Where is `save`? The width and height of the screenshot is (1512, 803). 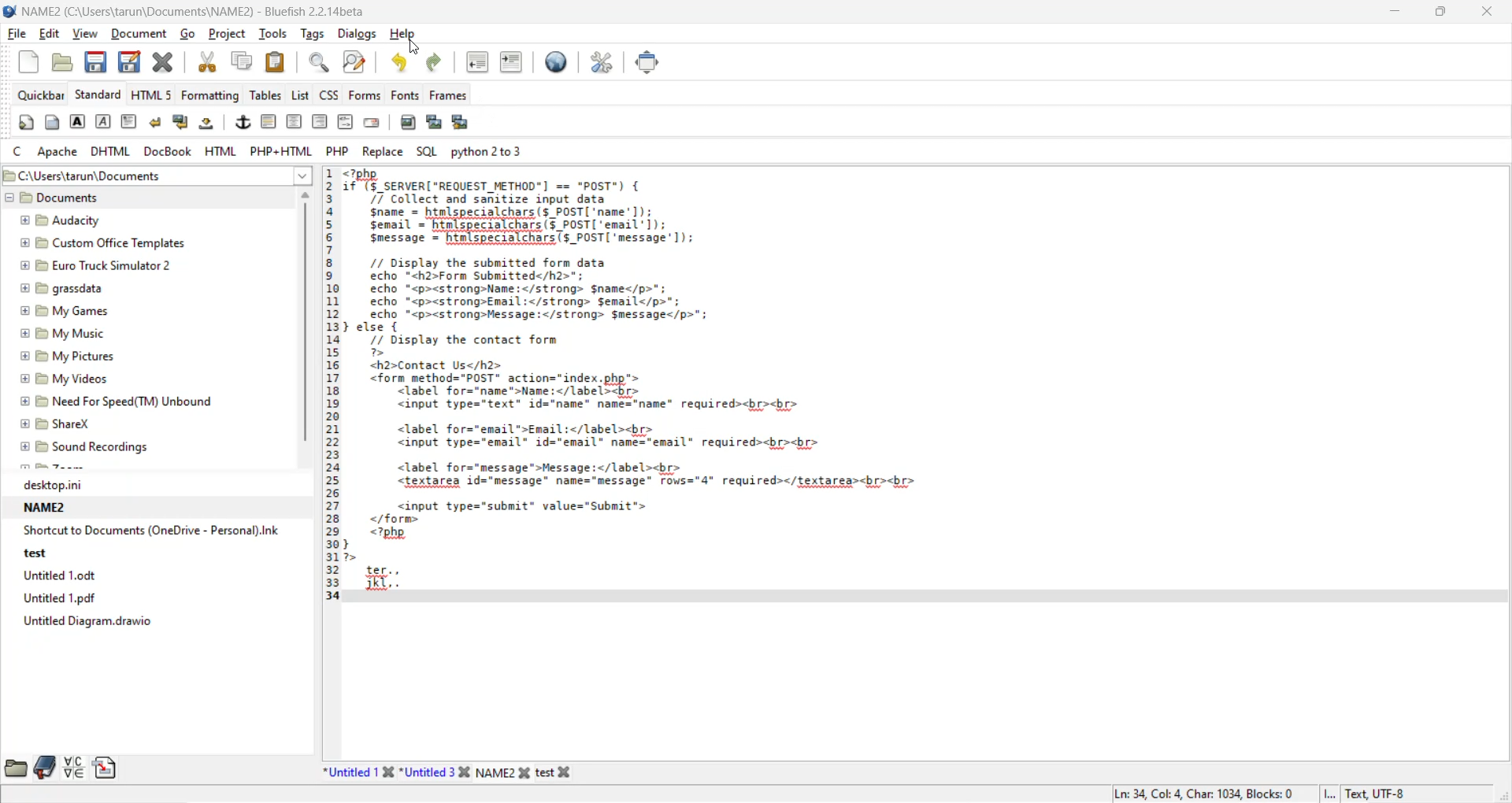 save is located at coordinates (93, 64).